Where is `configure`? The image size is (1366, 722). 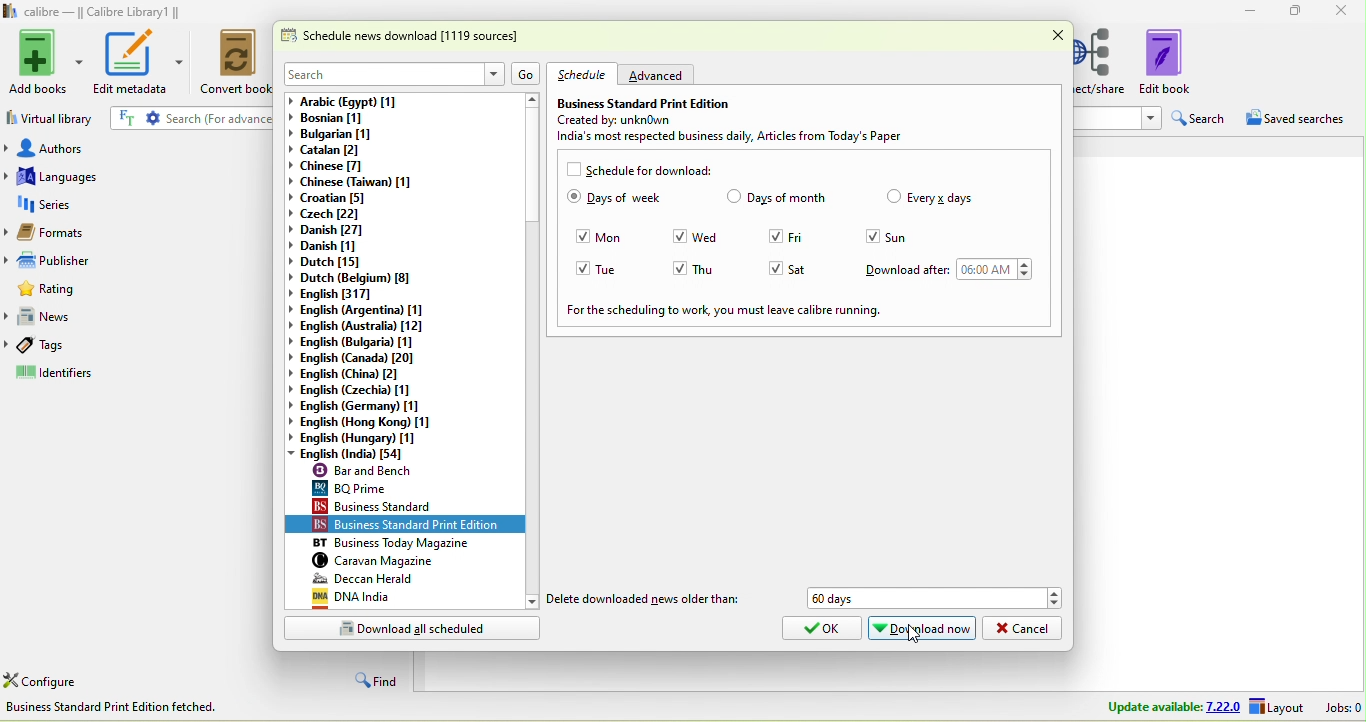 configure is located at coordinates (46, 680).